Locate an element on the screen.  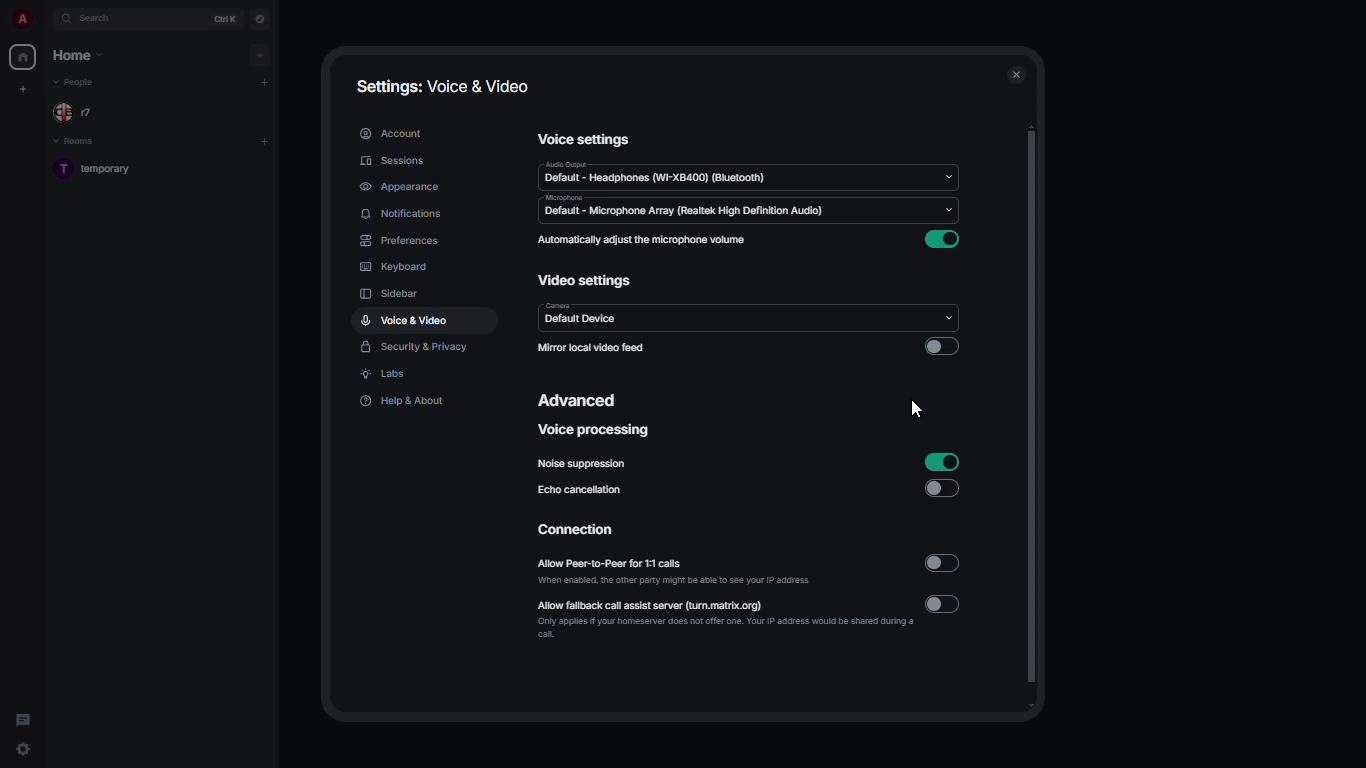
settings: voice & video is located at coordinates (443, 88).